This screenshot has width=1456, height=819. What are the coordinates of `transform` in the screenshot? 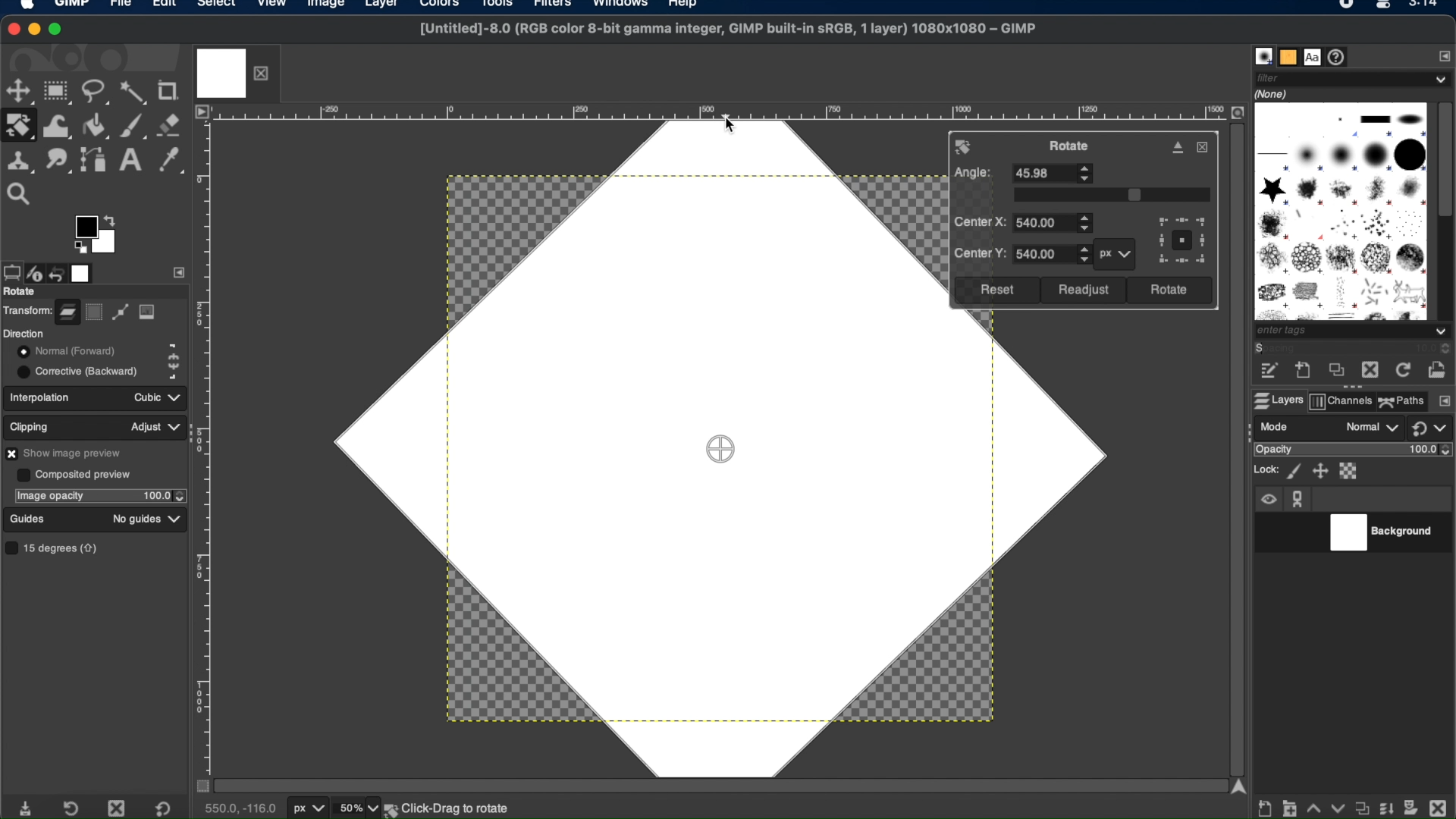 It's located at (27, 309).